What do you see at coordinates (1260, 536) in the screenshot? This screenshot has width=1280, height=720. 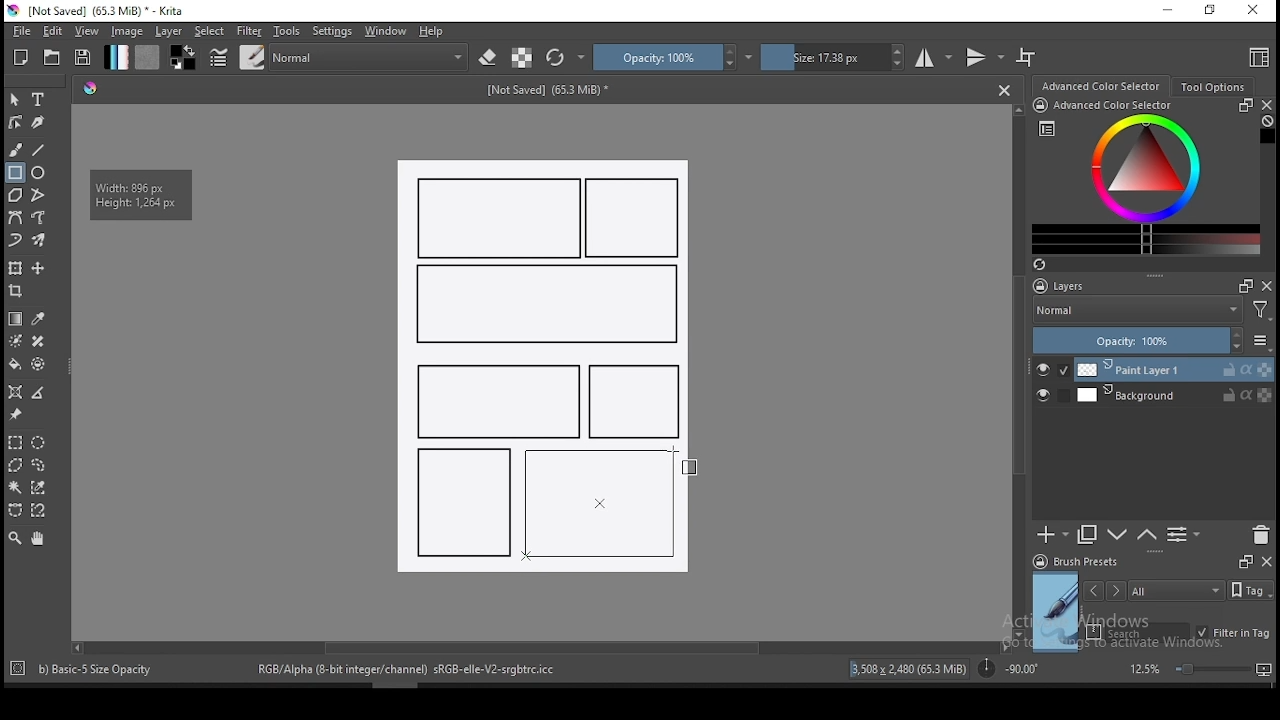 I see `delete layer` at bounding box center [1260, 536].